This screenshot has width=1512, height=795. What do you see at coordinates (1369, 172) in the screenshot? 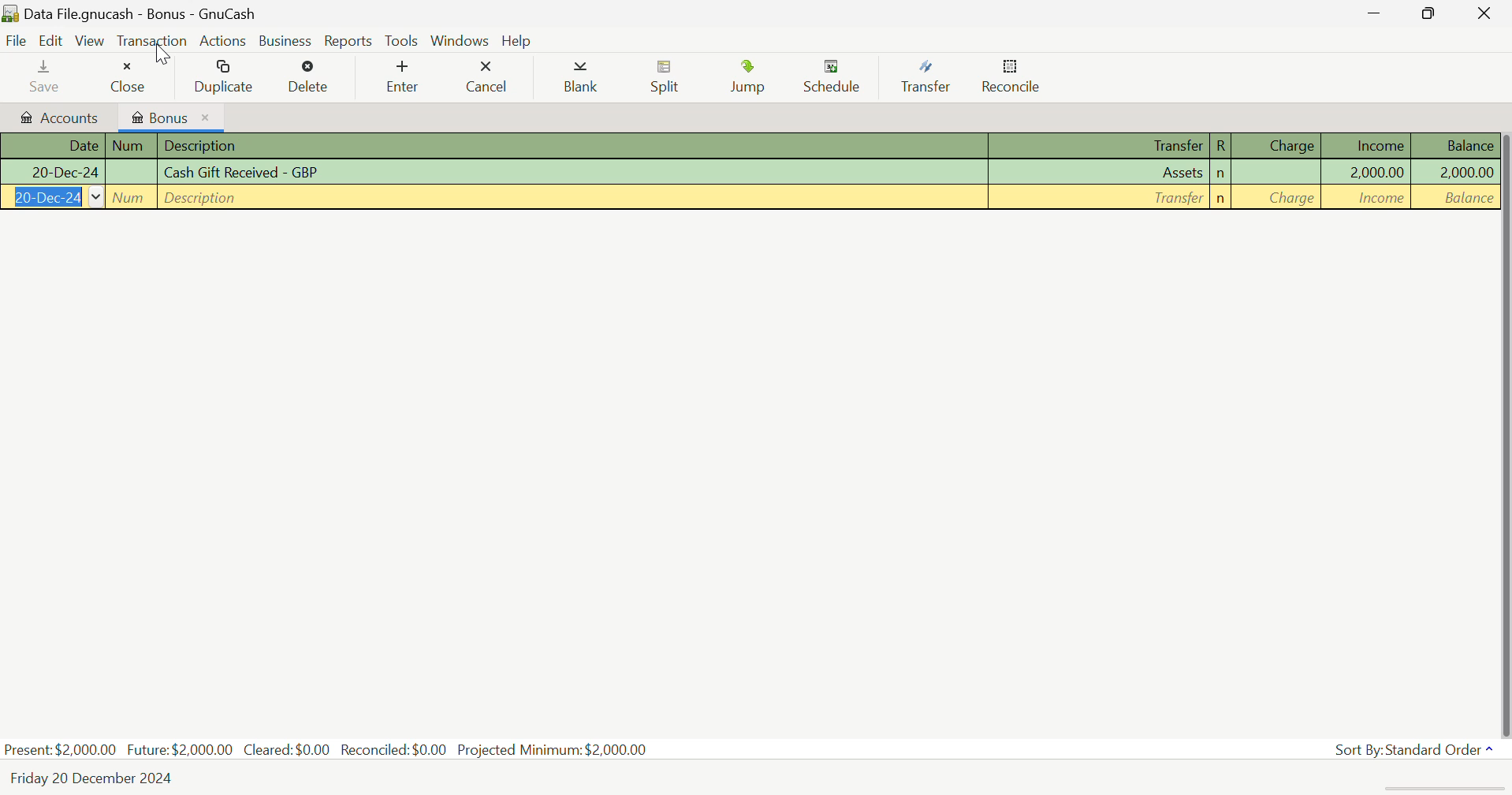
I see `Income` at bounding box center [1369, 172].